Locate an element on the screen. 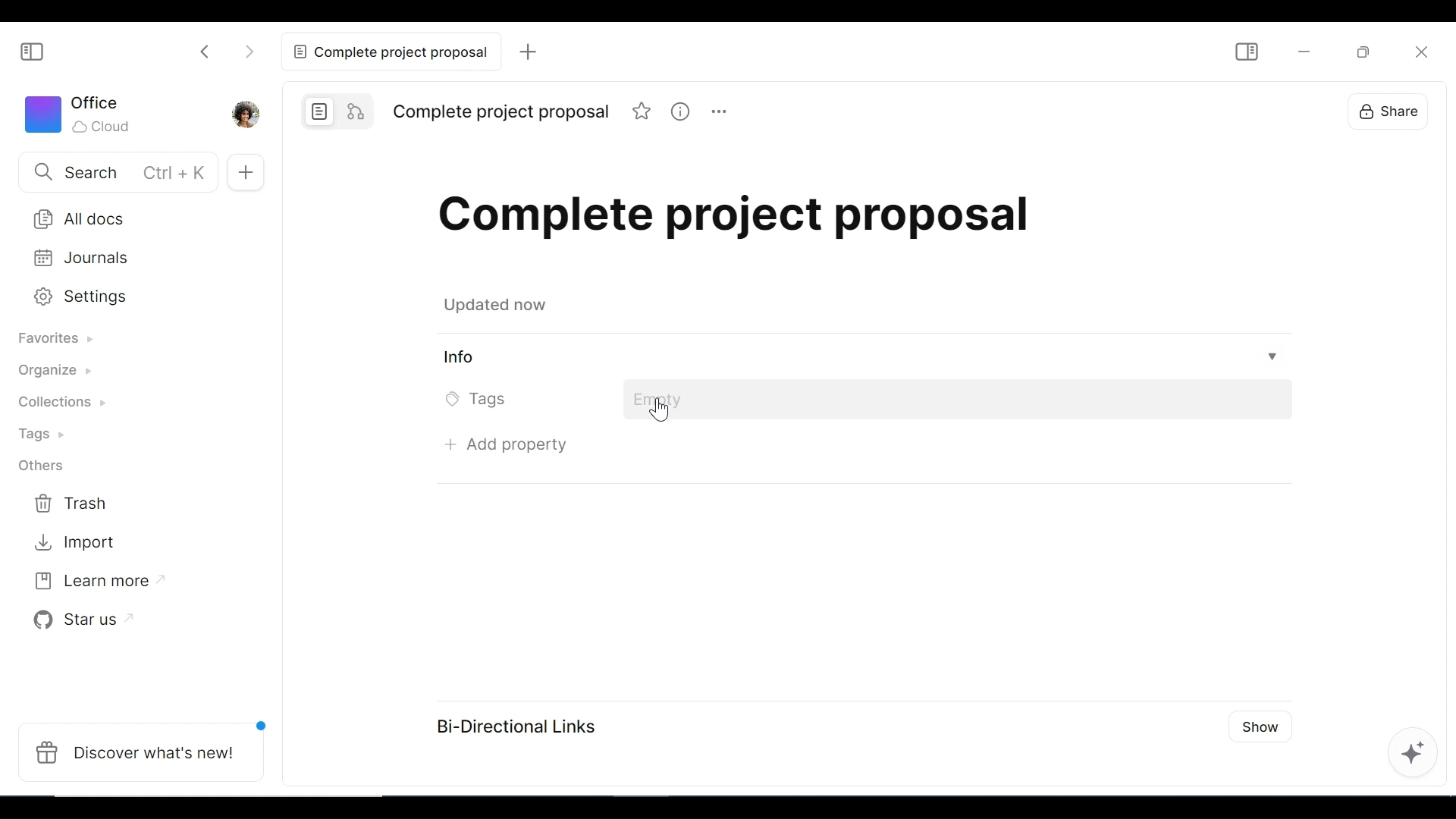 This screenshot has width=1456, height=819. Discover what's new is located at coordinates (143, 752).